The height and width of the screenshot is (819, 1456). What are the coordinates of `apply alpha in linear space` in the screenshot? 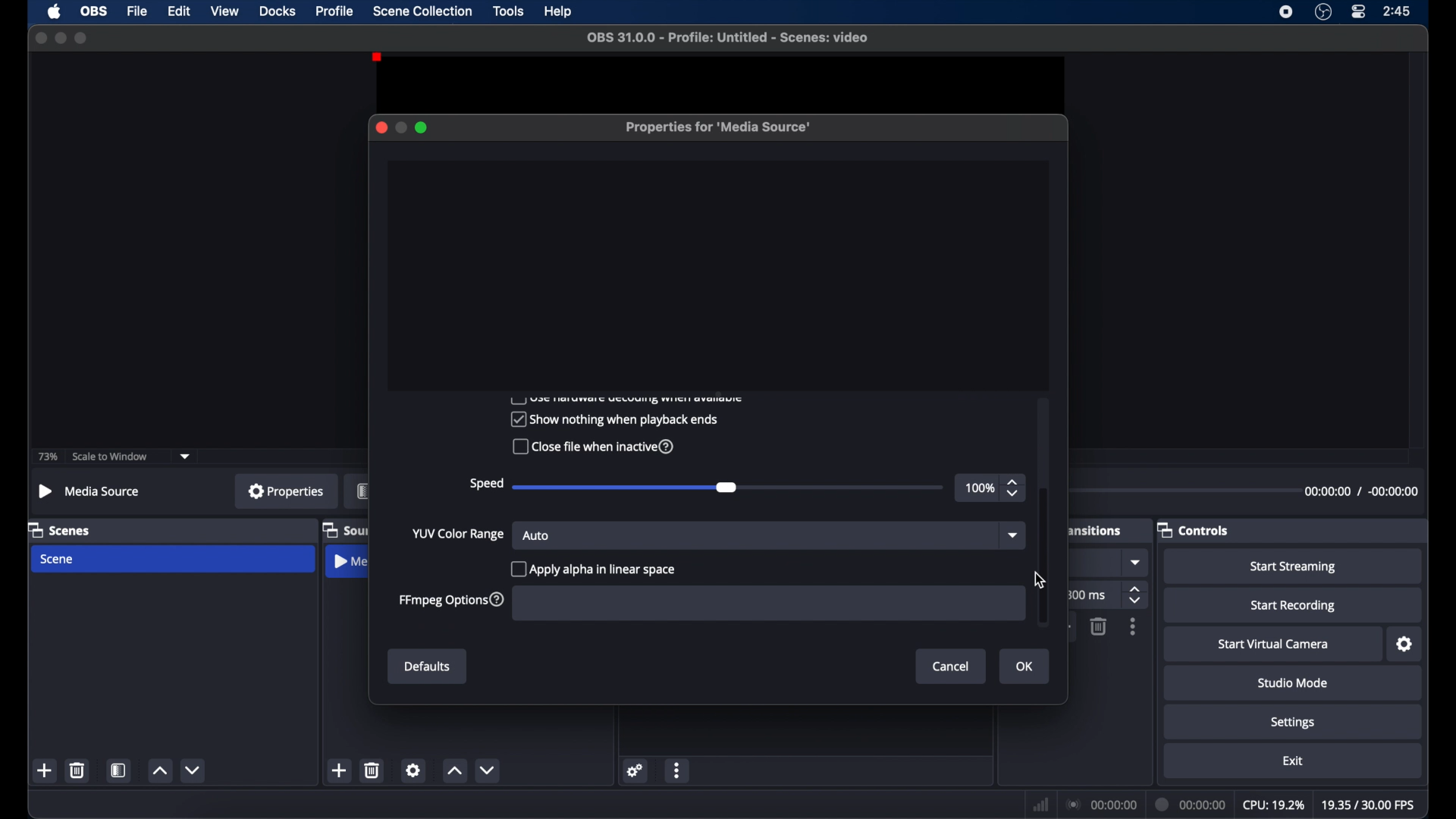 It's located at (596, 568).